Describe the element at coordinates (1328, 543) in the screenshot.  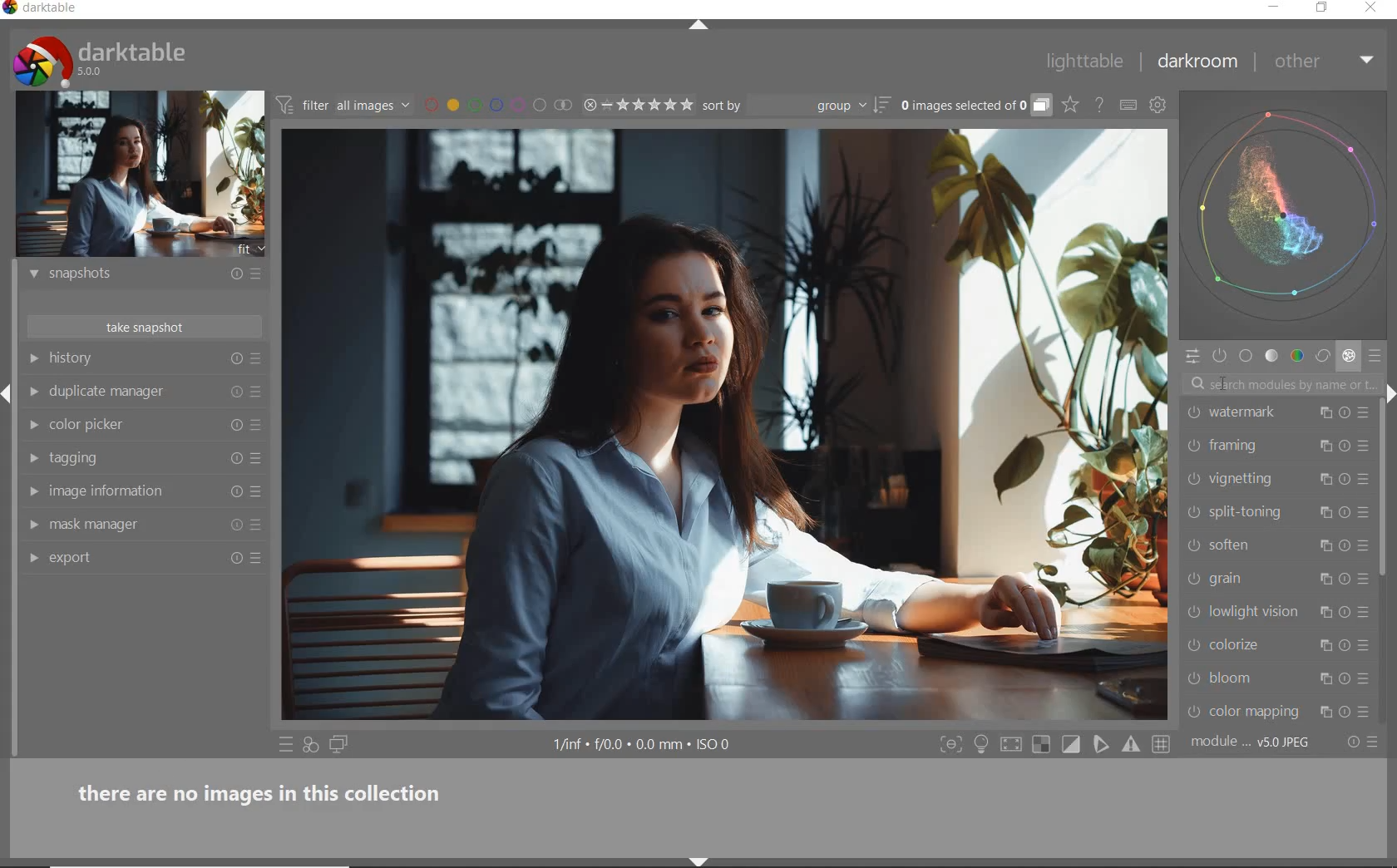
I see `multiple instance actions` at that location.